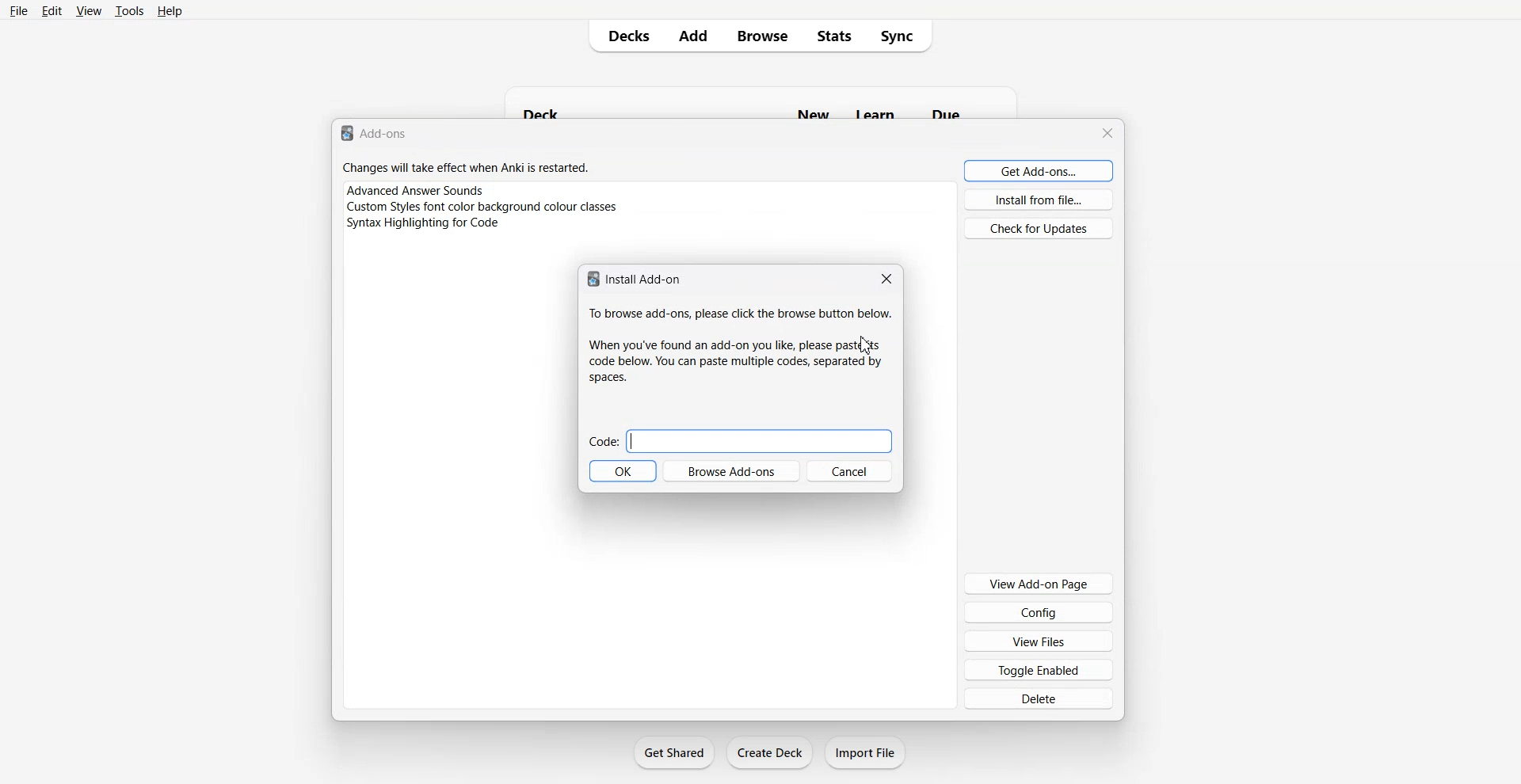  What do you see at coordinates (1039, 170) in the screenshot?
I see `Get Add-ons` at bounding box center [1039, 170].